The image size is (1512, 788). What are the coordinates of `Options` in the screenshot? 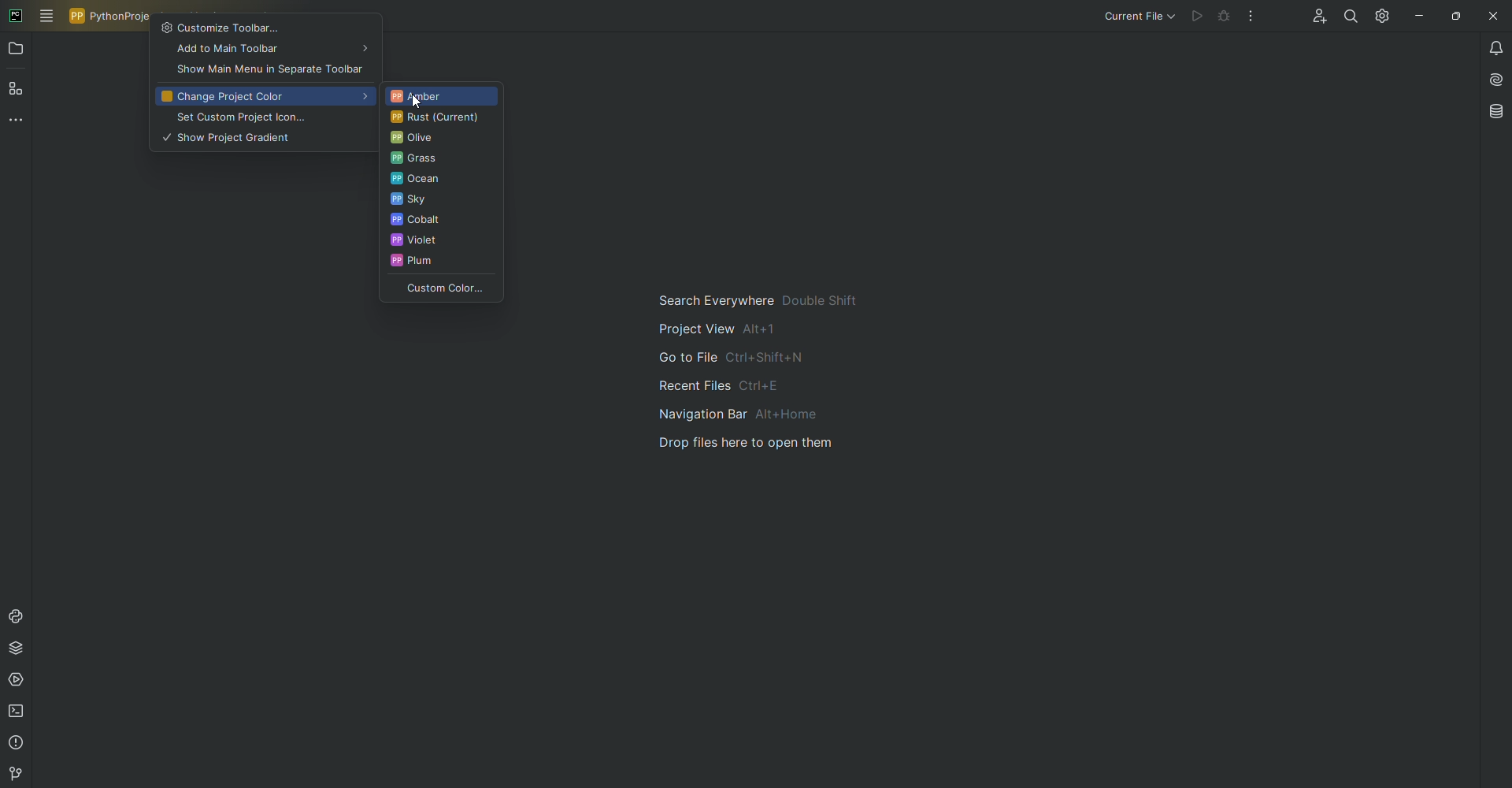 It's located at (1251, 16).